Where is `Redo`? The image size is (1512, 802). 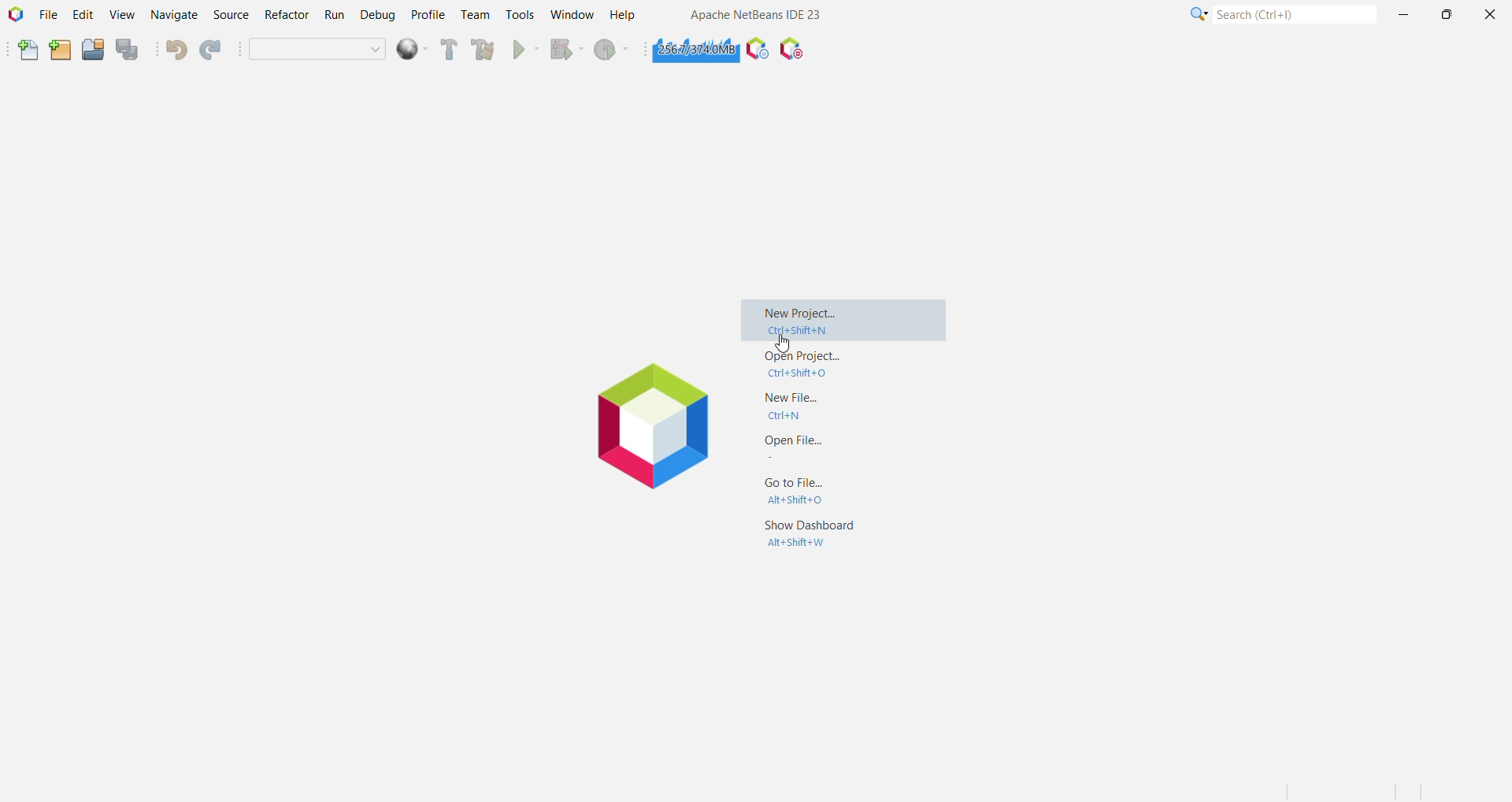
Redo is located at coordinates (210, 50).